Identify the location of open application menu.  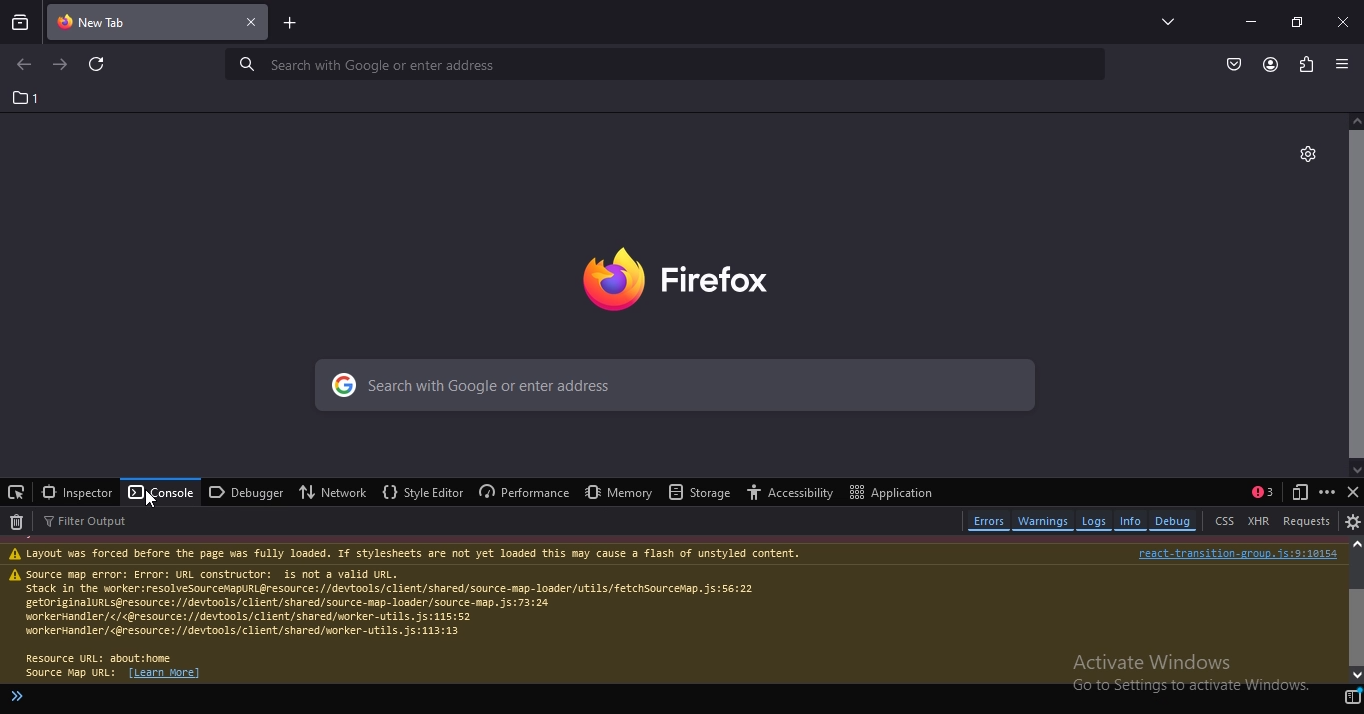
(1342, 65).